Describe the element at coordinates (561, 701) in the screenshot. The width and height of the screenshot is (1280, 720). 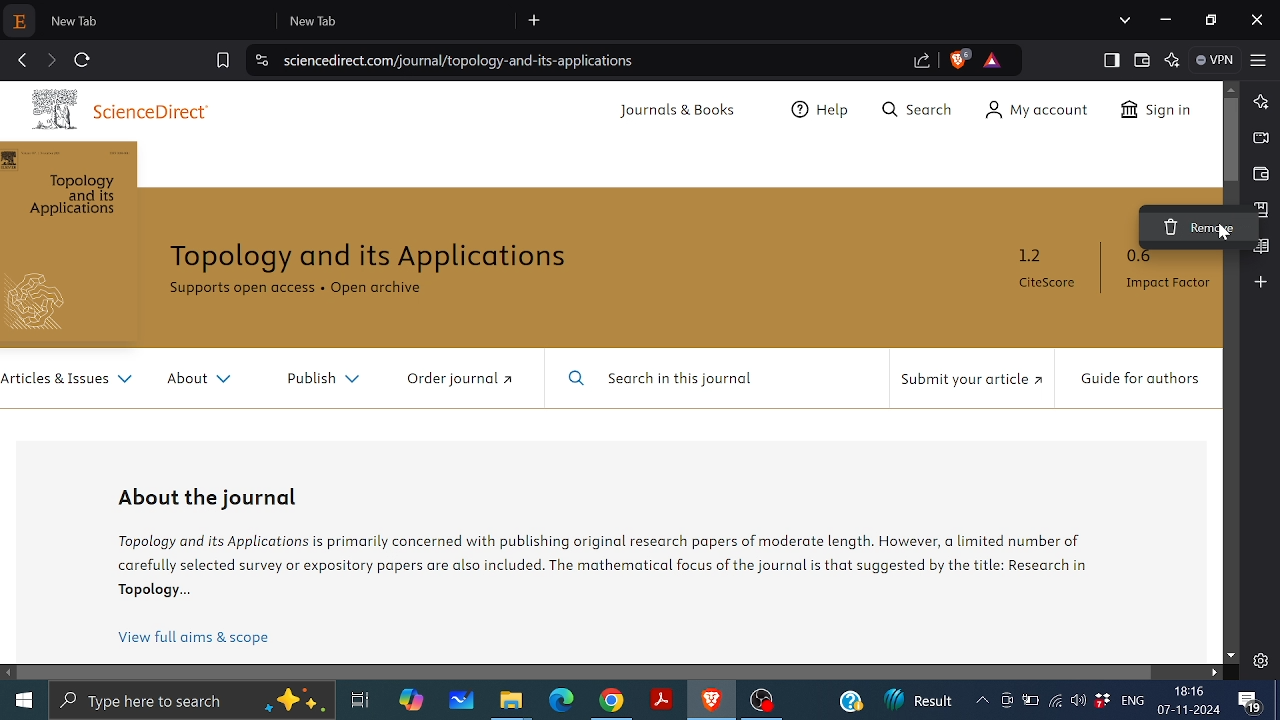
I see `Microsoft edge` at that location.